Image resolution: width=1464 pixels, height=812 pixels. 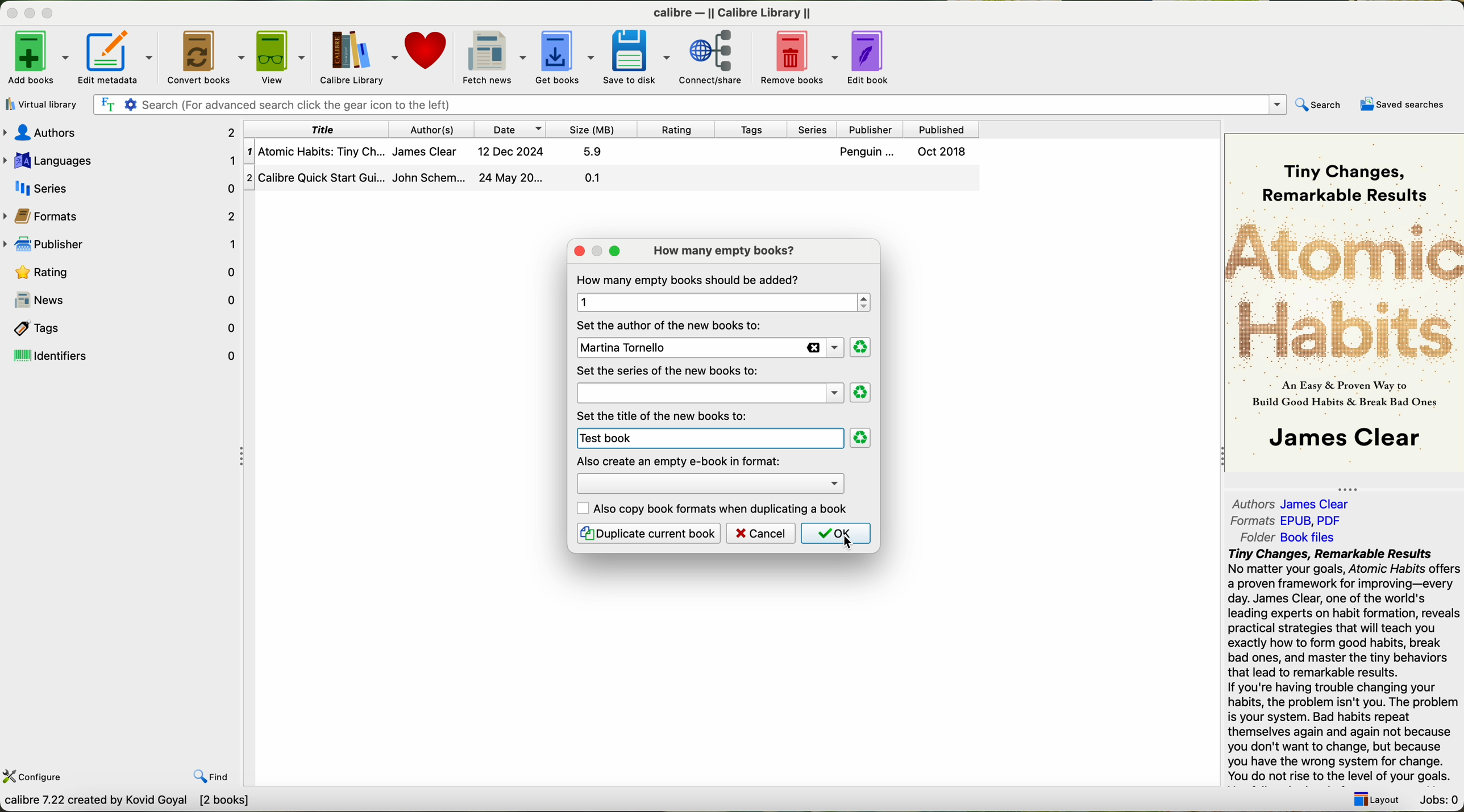 I want to click on also create and empy ebook in format, so click(x=680, y=460).